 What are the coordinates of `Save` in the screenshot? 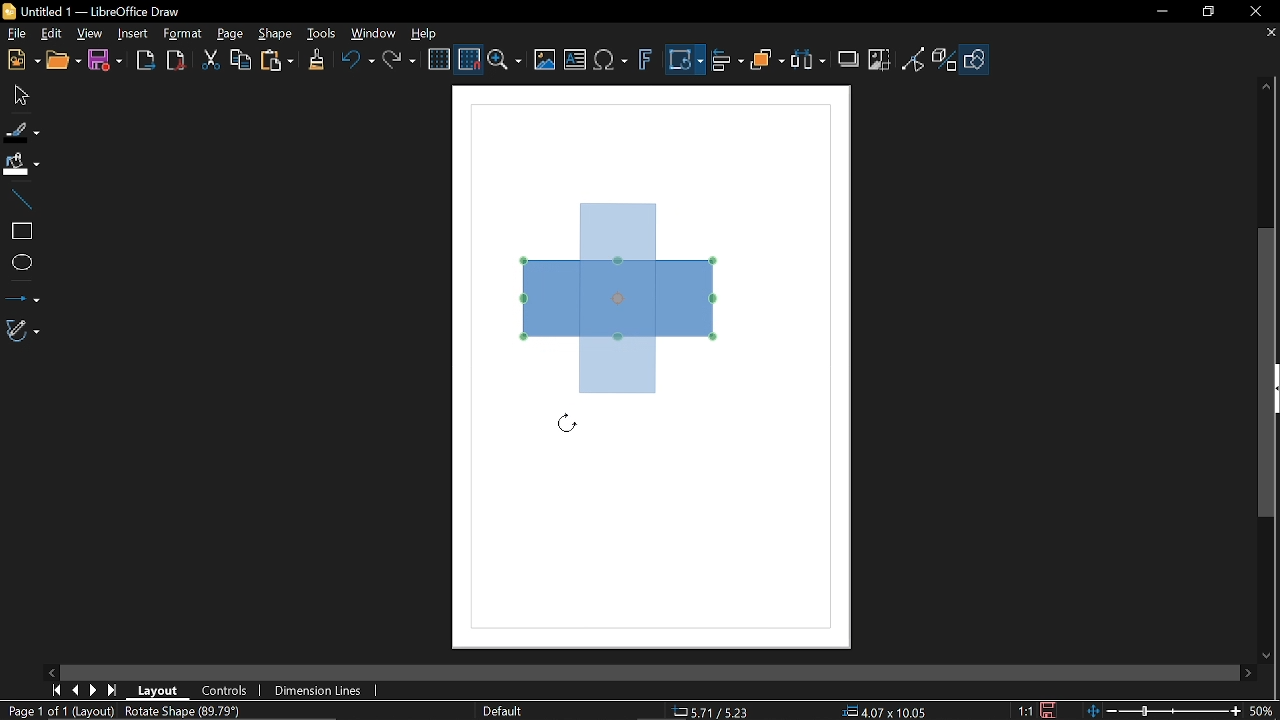 It's located at (104, 62).